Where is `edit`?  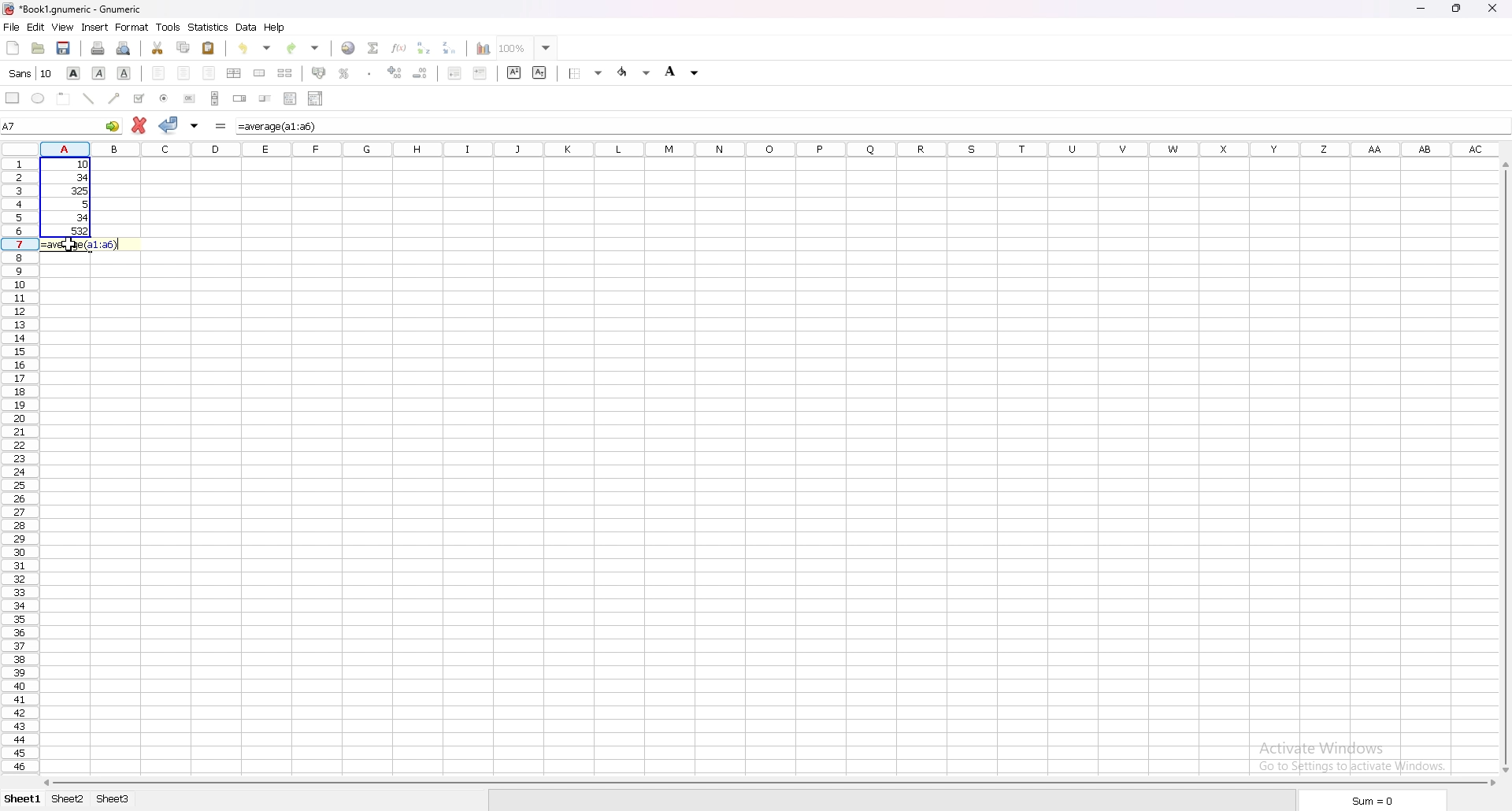 edit is located at coordinates (35, 28).